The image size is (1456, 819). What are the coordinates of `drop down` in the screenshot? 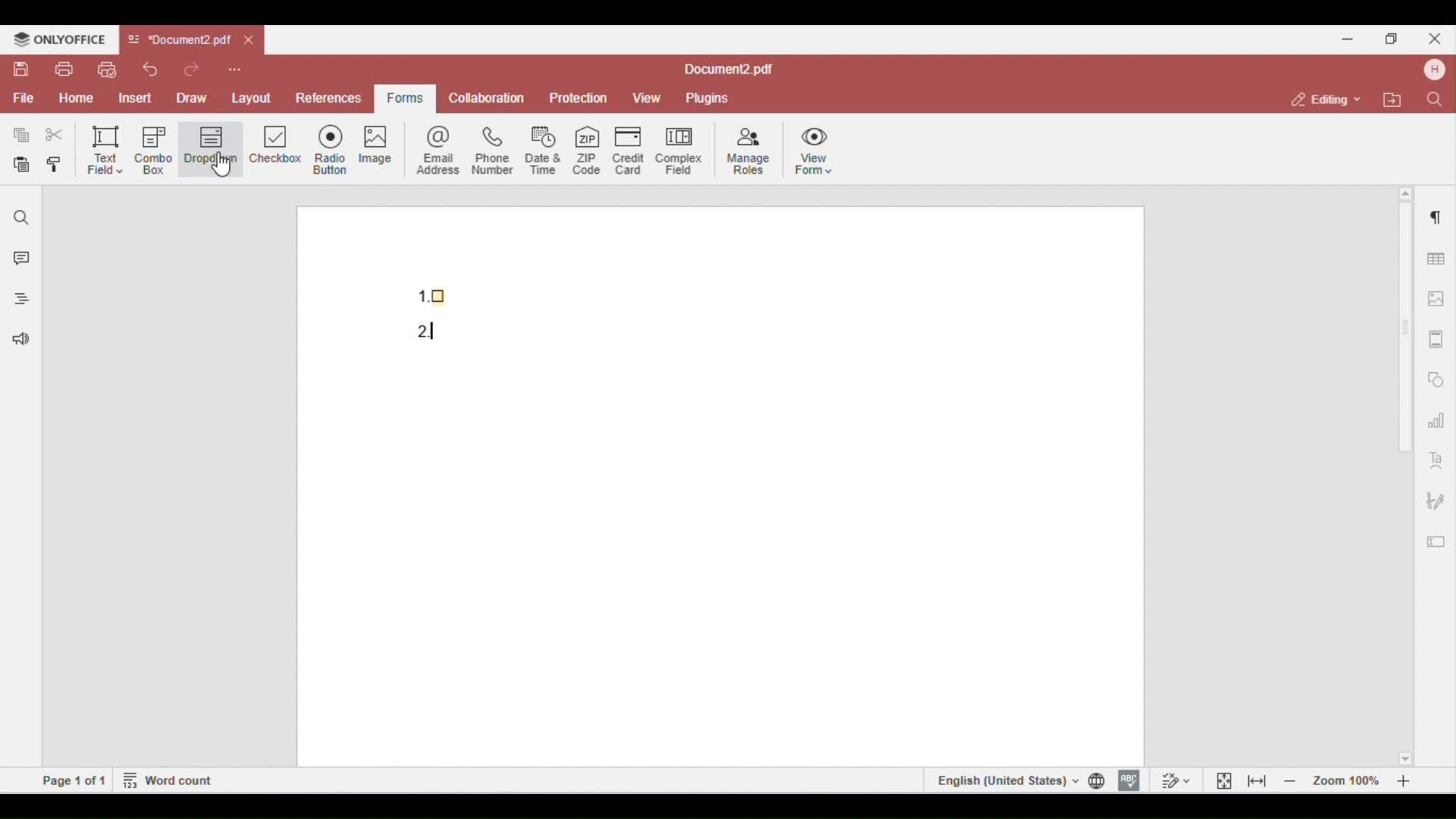 It's located at (211, 147).